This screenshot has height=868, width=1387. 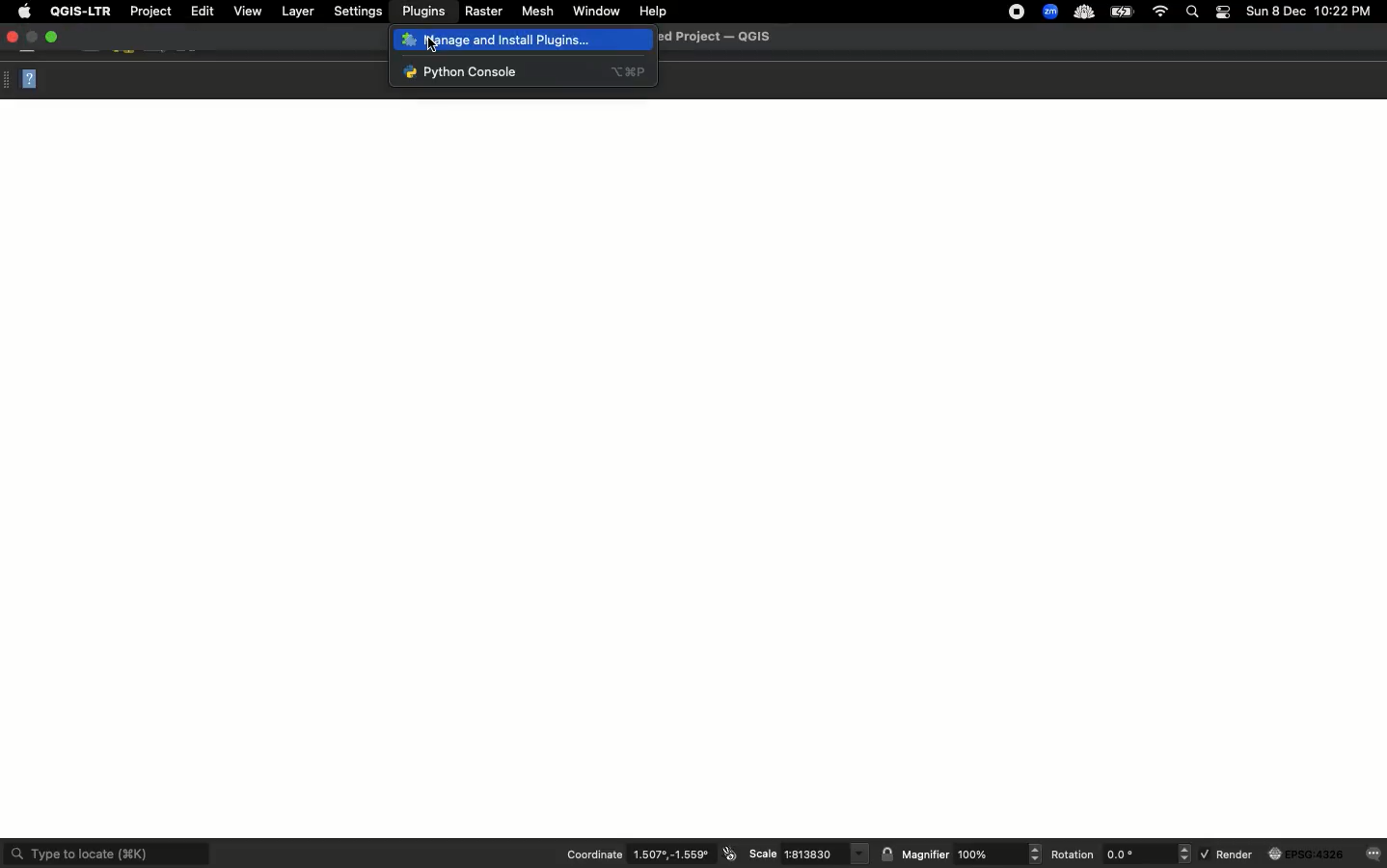 What do you see at coordinates (1074, 854) in the screenshot?
I see `Rotation` at bounding box center [1074, 854].